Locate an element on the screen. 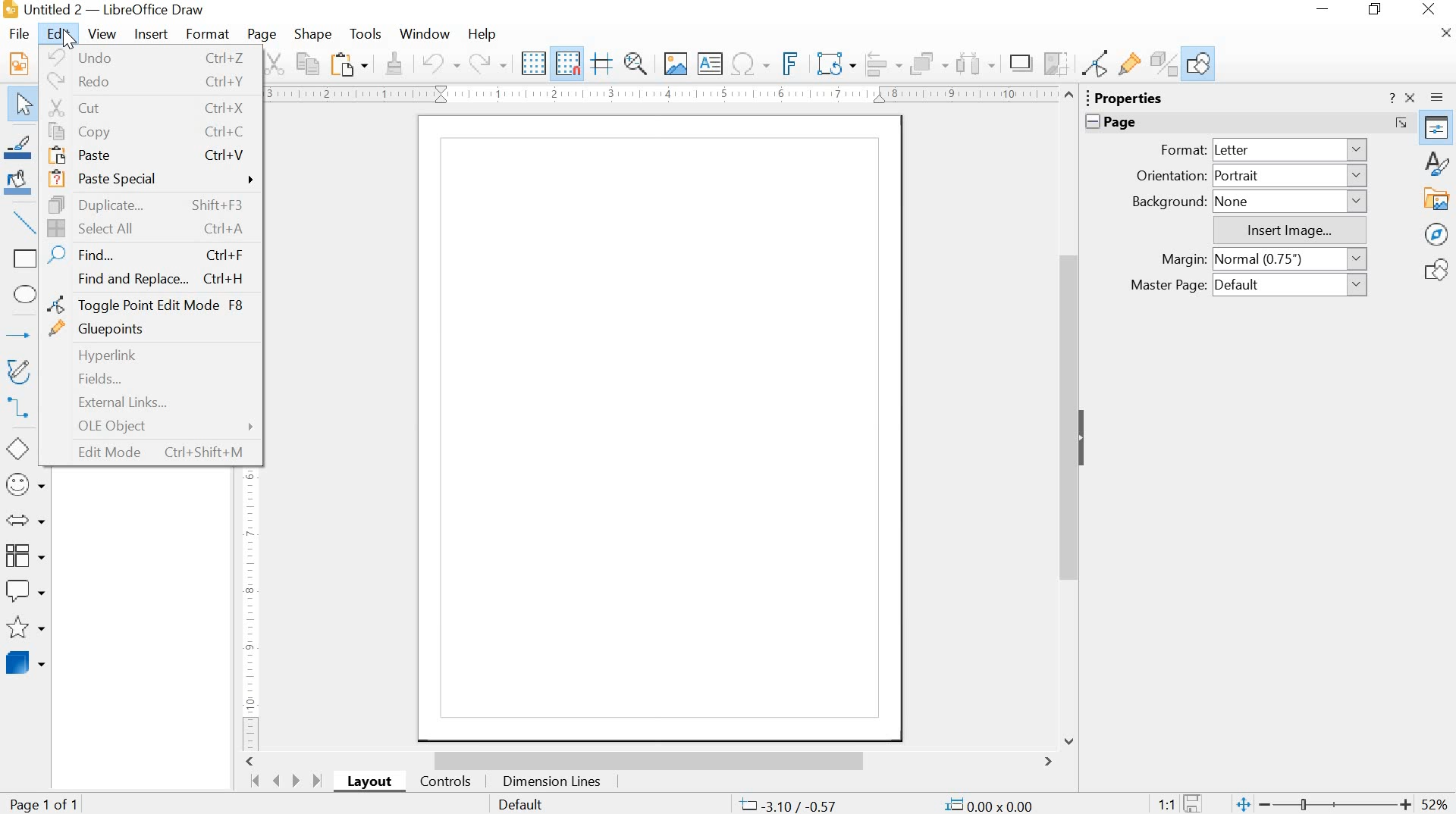 The width and height of the screenshot is (1456, 814). Callout Shapes (double click for multi-selection) is located at coordinates (27, 590).